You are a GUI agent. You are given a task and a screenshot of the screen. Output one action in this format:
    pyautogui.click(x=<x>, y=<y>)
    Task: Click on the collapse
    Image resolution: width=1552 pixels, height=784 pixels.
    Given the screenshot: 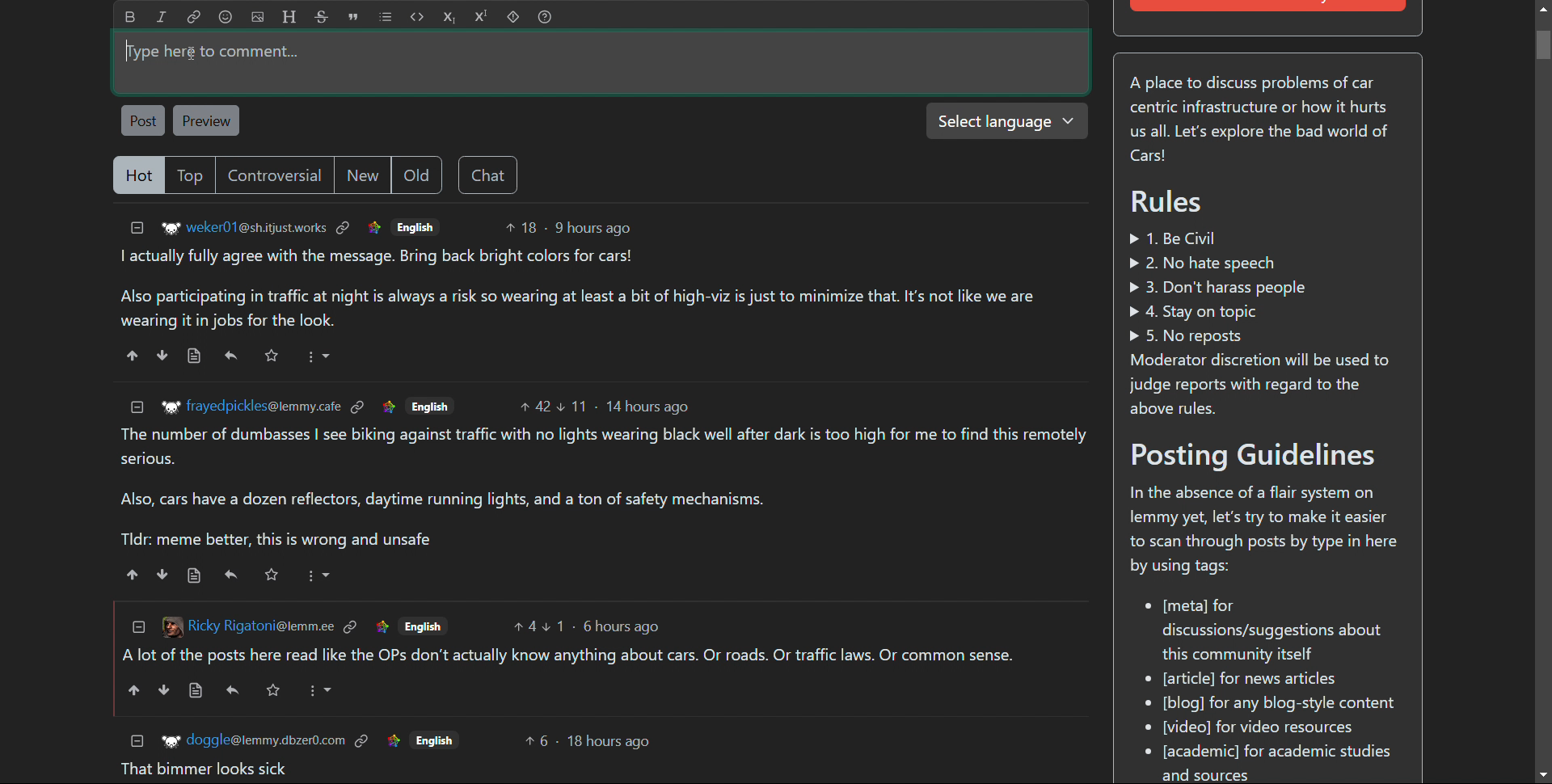 What is the action you would take?
    pyautogui.click(x=137, y=229)
    